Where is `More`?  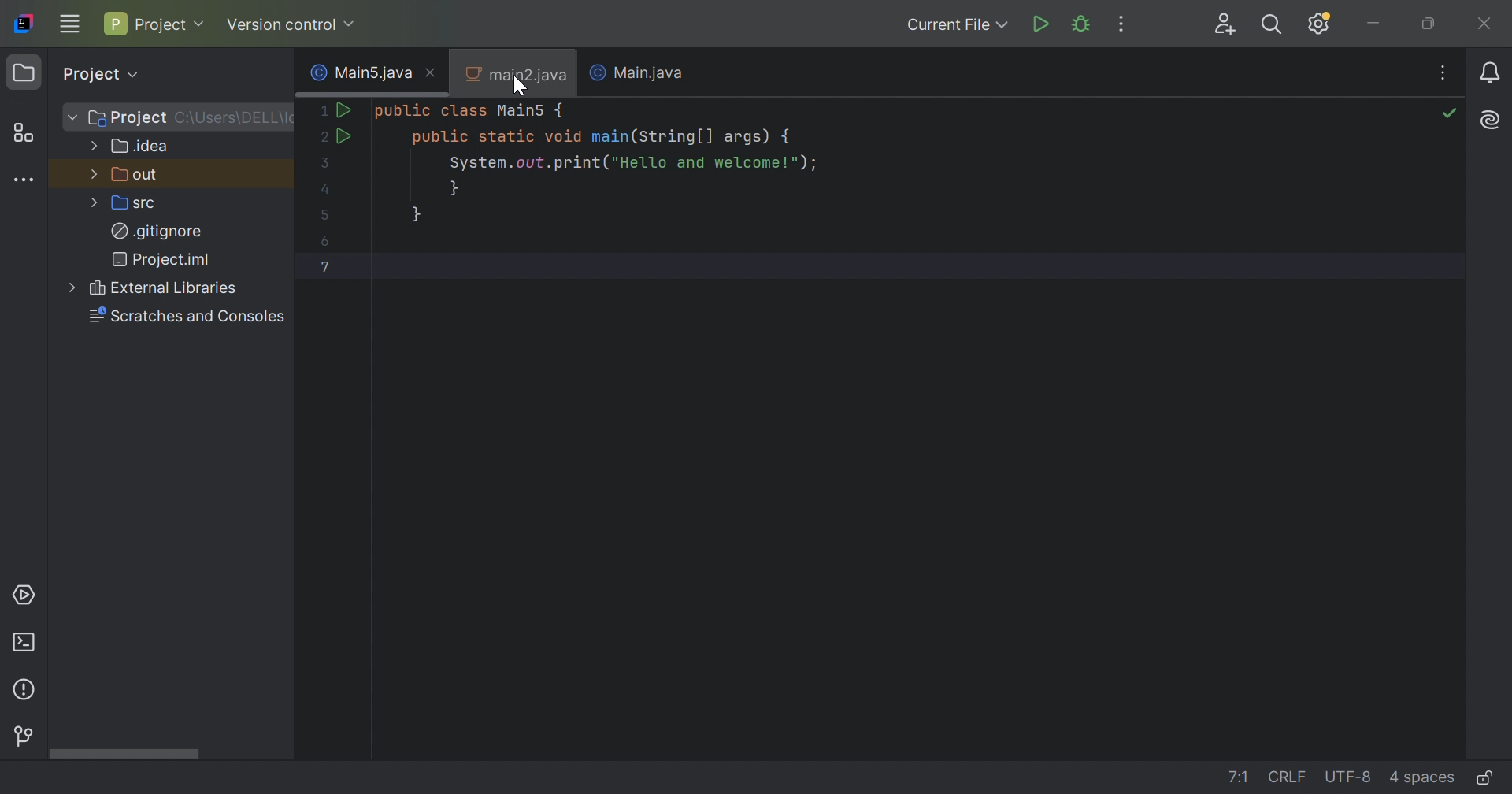 More is located at coordinates (94, 173).